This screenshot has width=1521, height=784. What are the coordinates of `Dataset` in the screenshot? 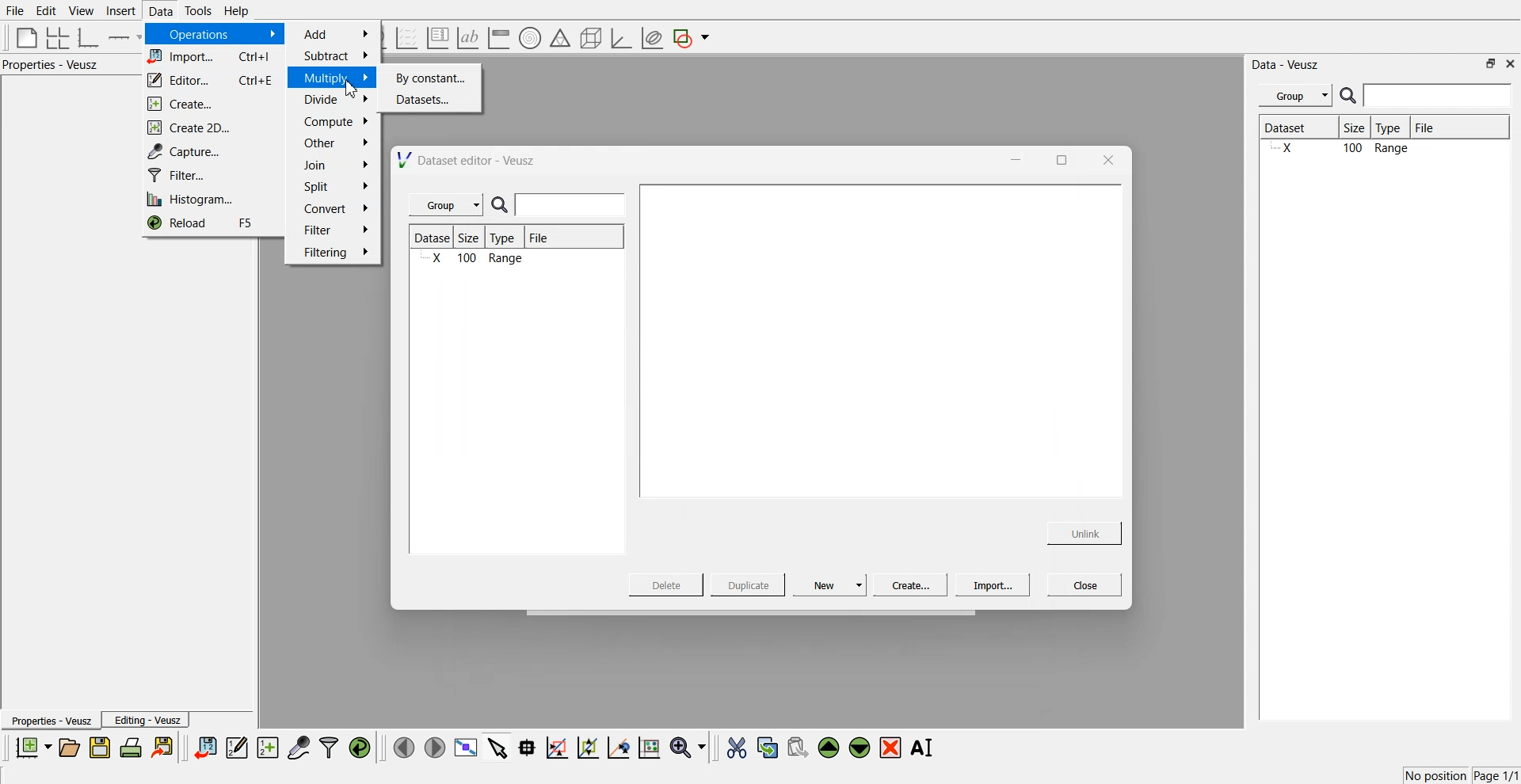 It's located at (1298, 129).